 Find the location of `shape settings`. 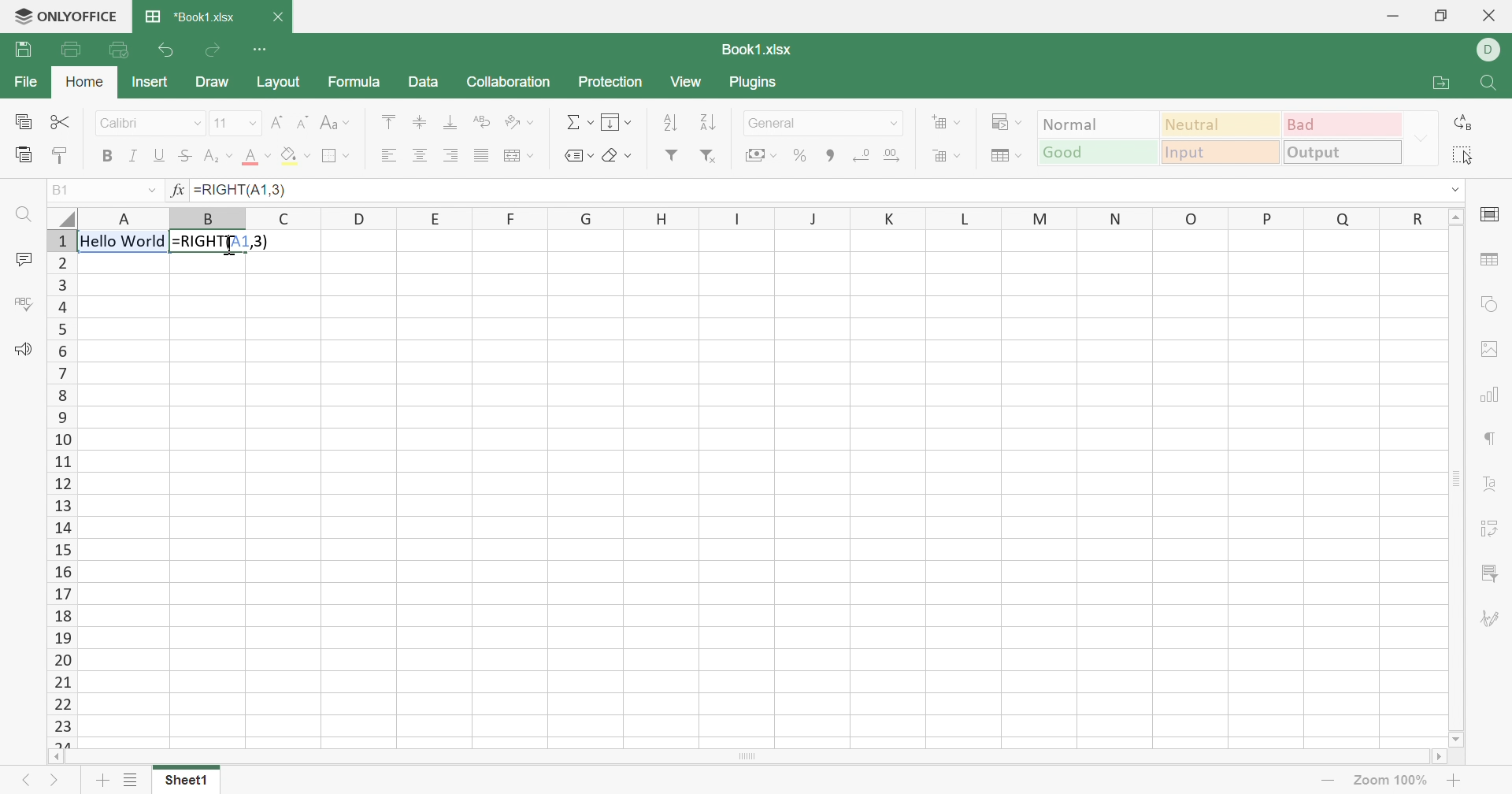

shape settings is located at coordinates (1489, 304).